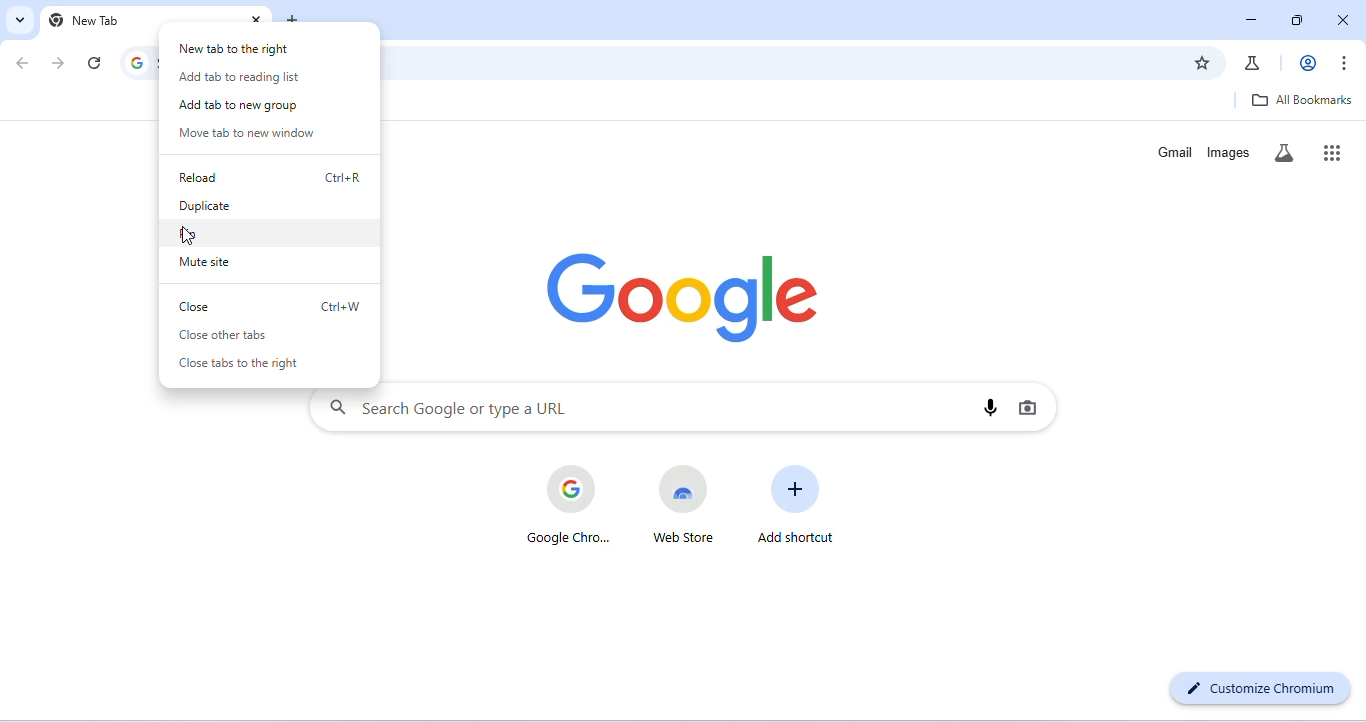 The height and width of the screenshot is (722, 1366). I want to click on google chrome, so click(569, 503).